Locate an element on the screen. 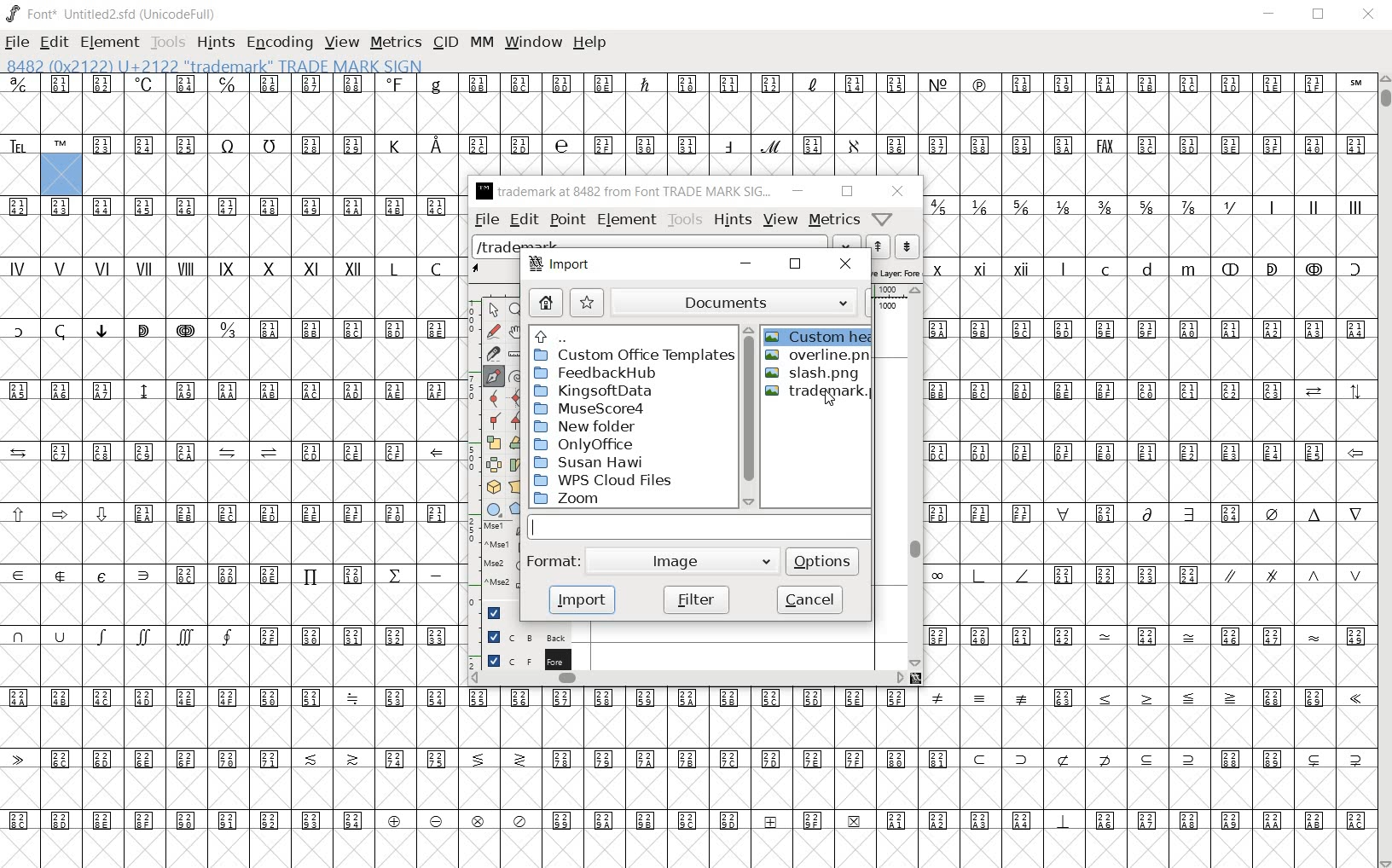 The width and height of the screenshot is (1392, 868). symbols is located at coordinates (354, 349).